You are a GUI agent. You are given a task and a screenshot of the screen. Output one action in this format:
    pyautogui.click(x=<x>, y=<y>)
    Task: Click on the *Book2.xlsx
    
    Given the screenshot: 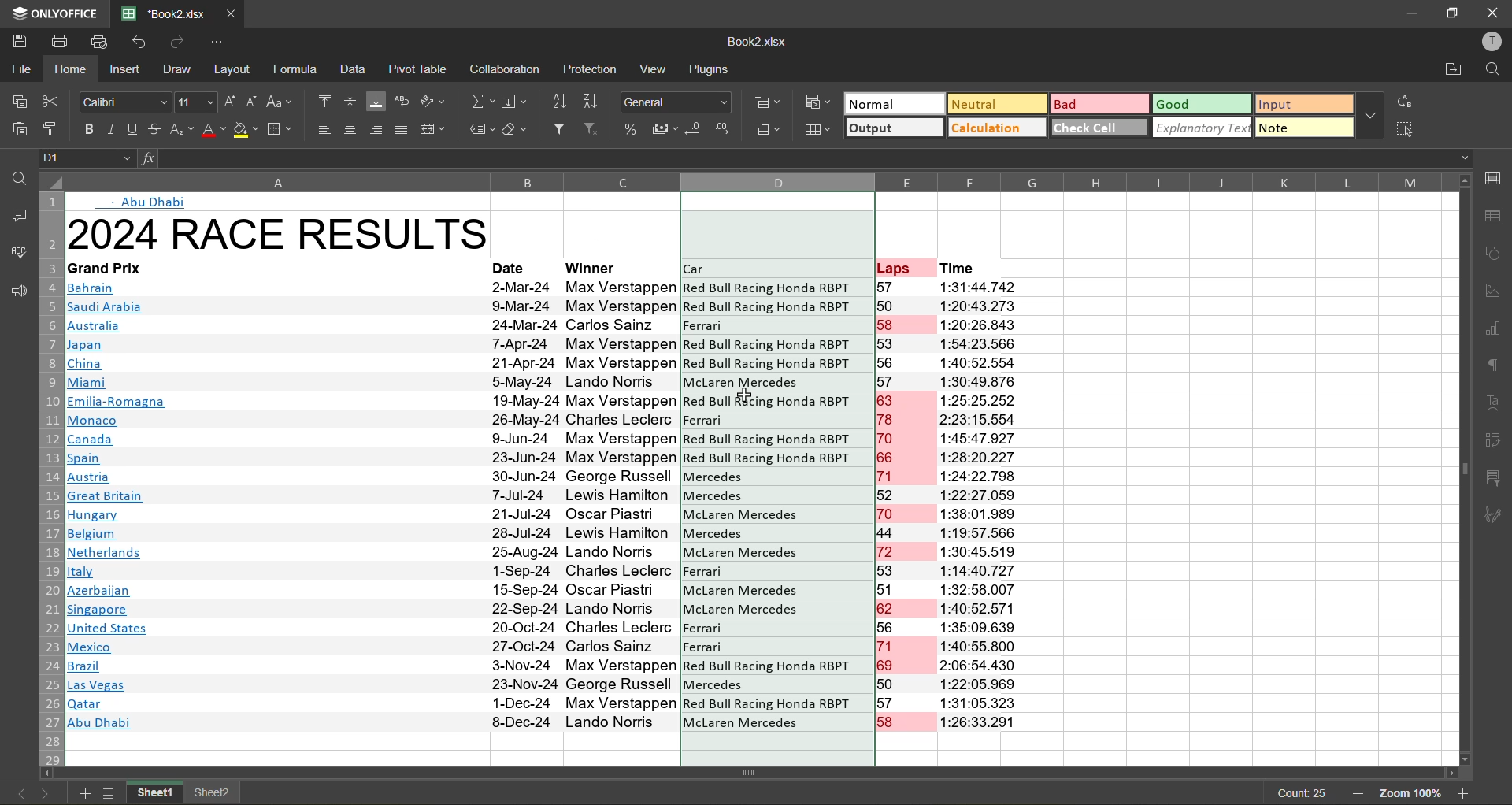 What is the action you would take?
    pyautogui.click(x=161, y=13)
    